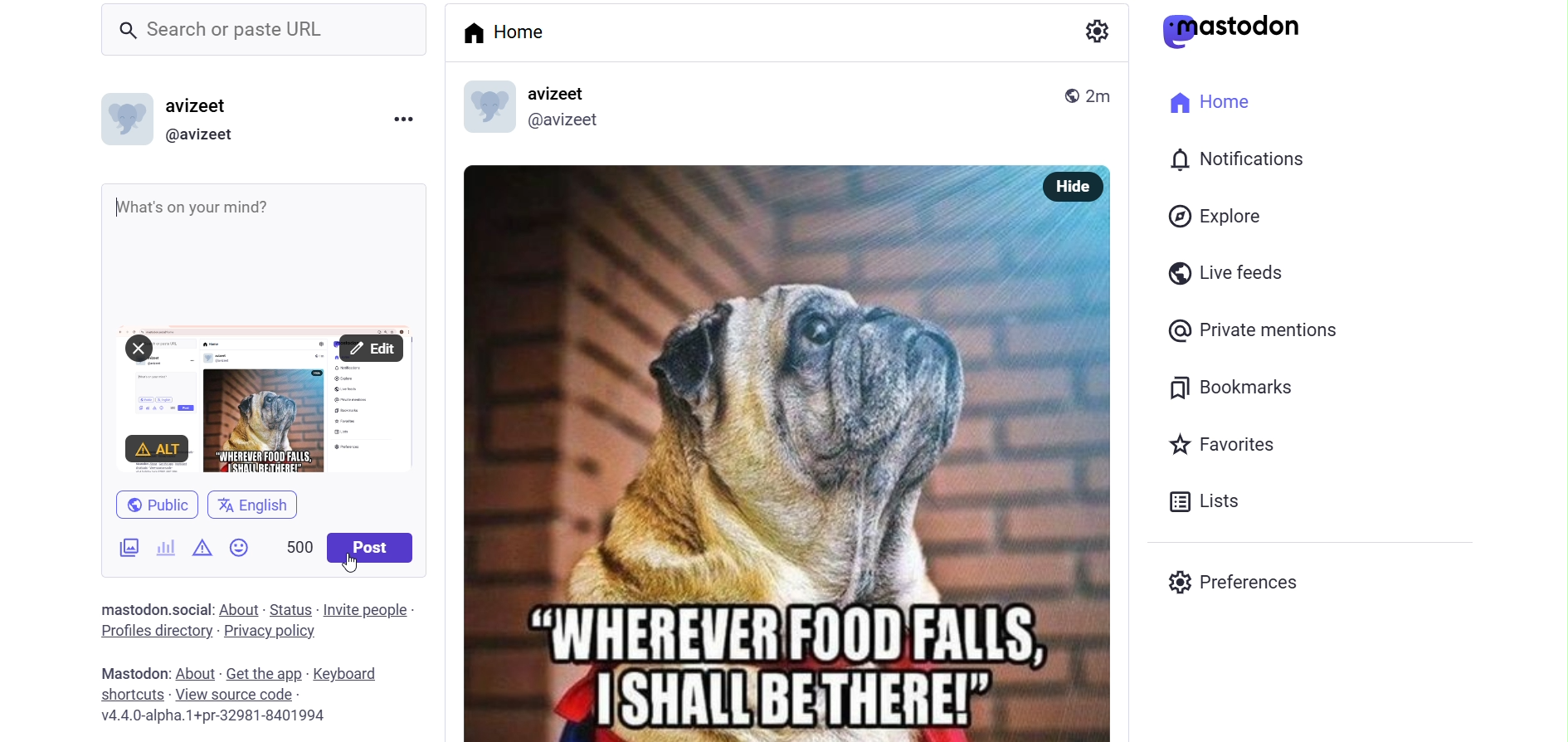 The width and height of the screenshot is (1568, 742). What do you see at coordinates (515, 34) in the screenshot?
I see `home` at bounding box center [515, 34].